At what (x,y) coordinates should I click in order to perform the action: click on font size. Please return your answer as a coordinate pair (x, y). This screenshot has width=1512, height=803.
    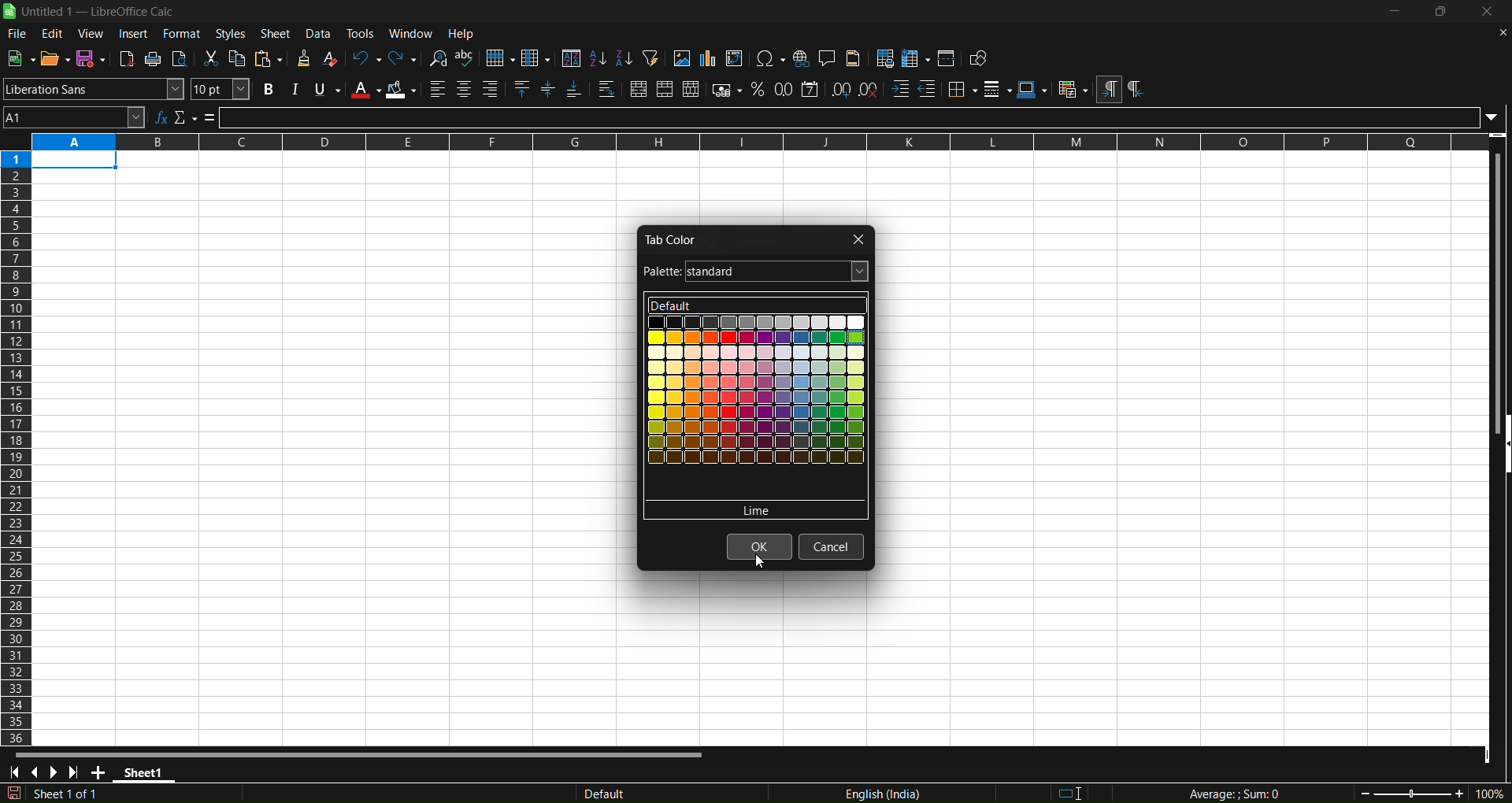
    Looking at the image, I should click on (221, 89).